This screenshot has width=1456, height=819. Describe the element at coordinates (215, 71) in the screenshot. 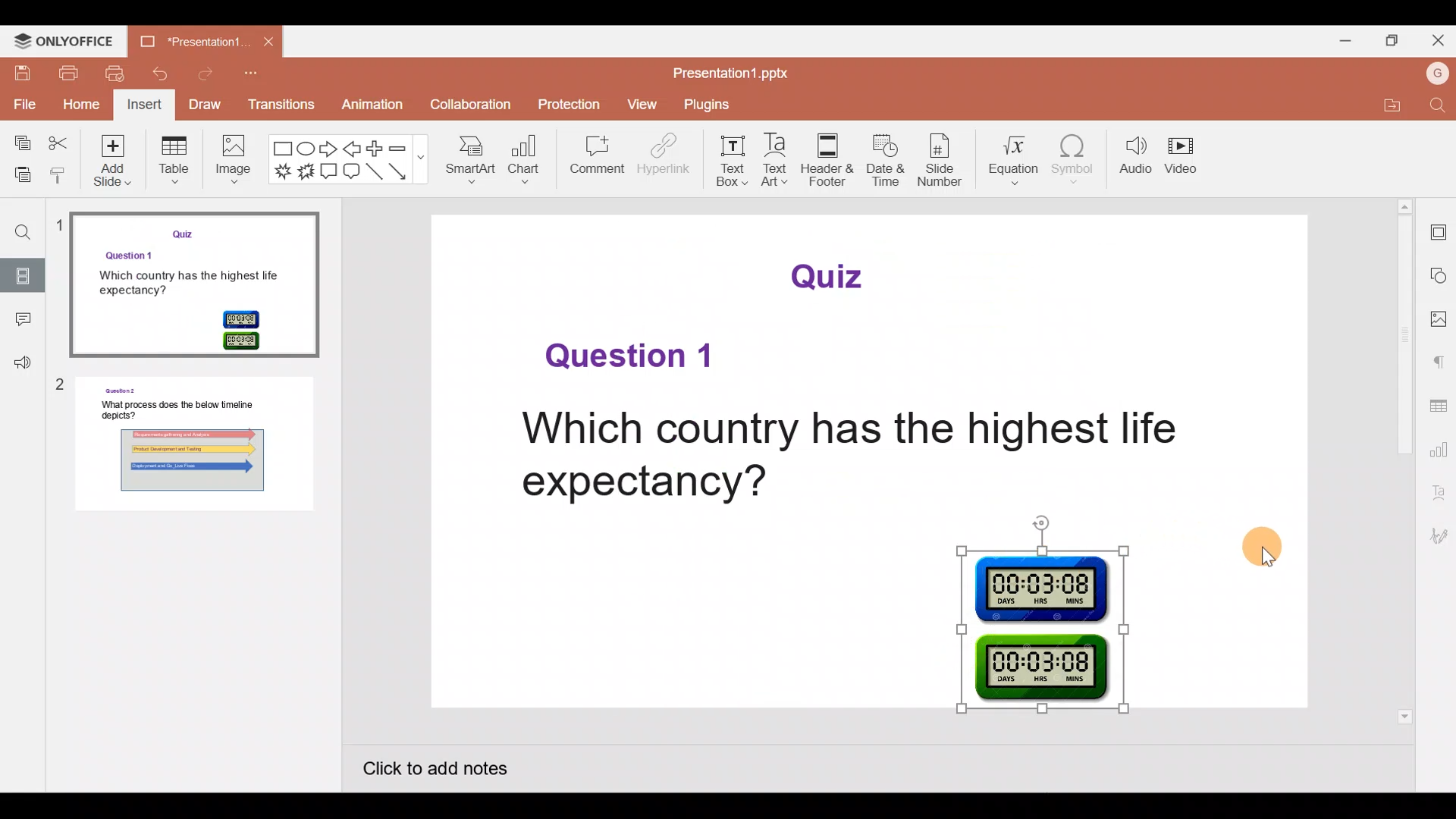

I see `Redo` at that location.